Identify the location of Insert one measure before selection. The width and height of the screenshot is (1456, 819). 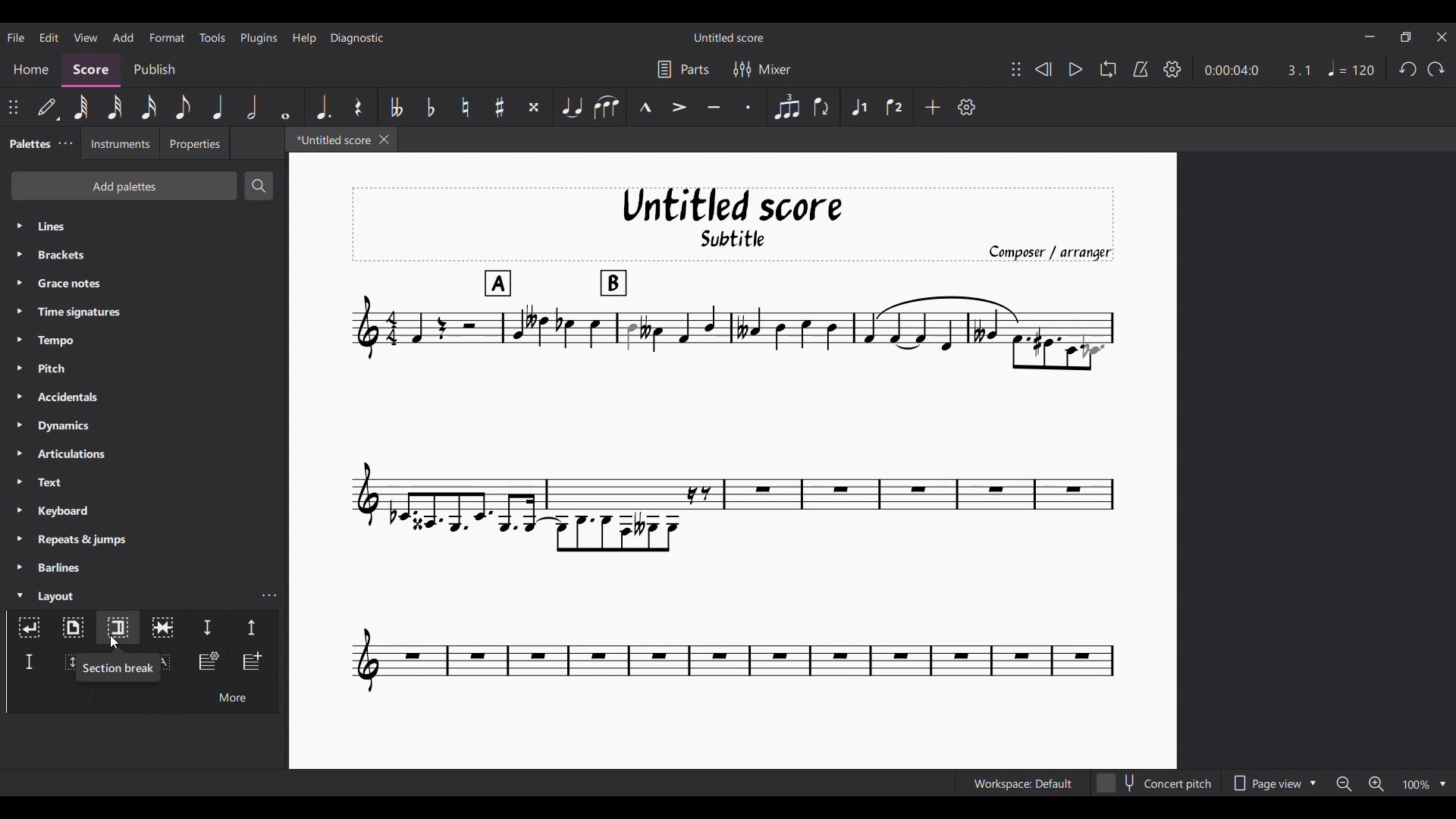
(253, 662).